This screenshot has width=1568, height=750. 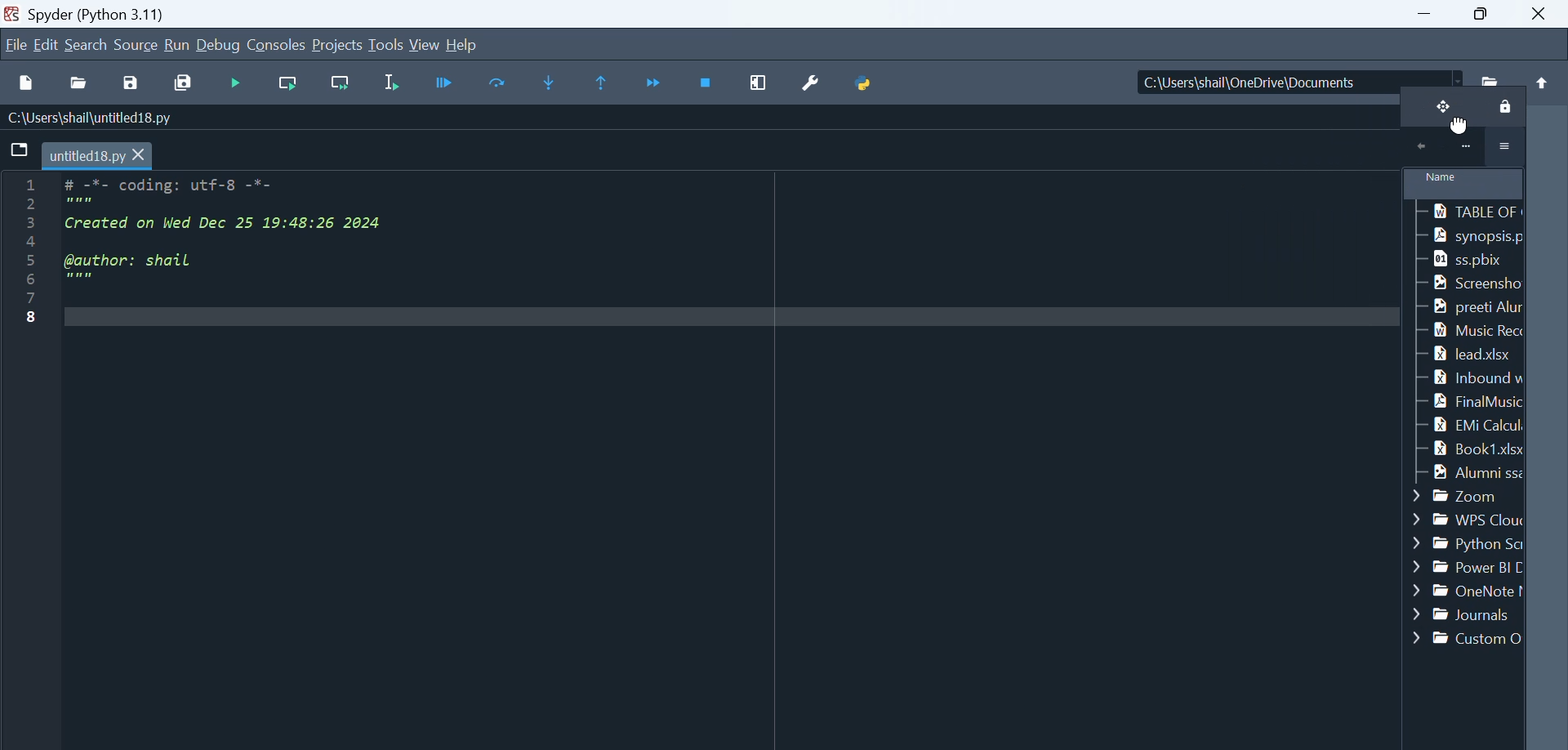 What do you see at coordinates (552, 83) in the screenshot?
I see `Step into the next function` at bounding box center [552, 83].